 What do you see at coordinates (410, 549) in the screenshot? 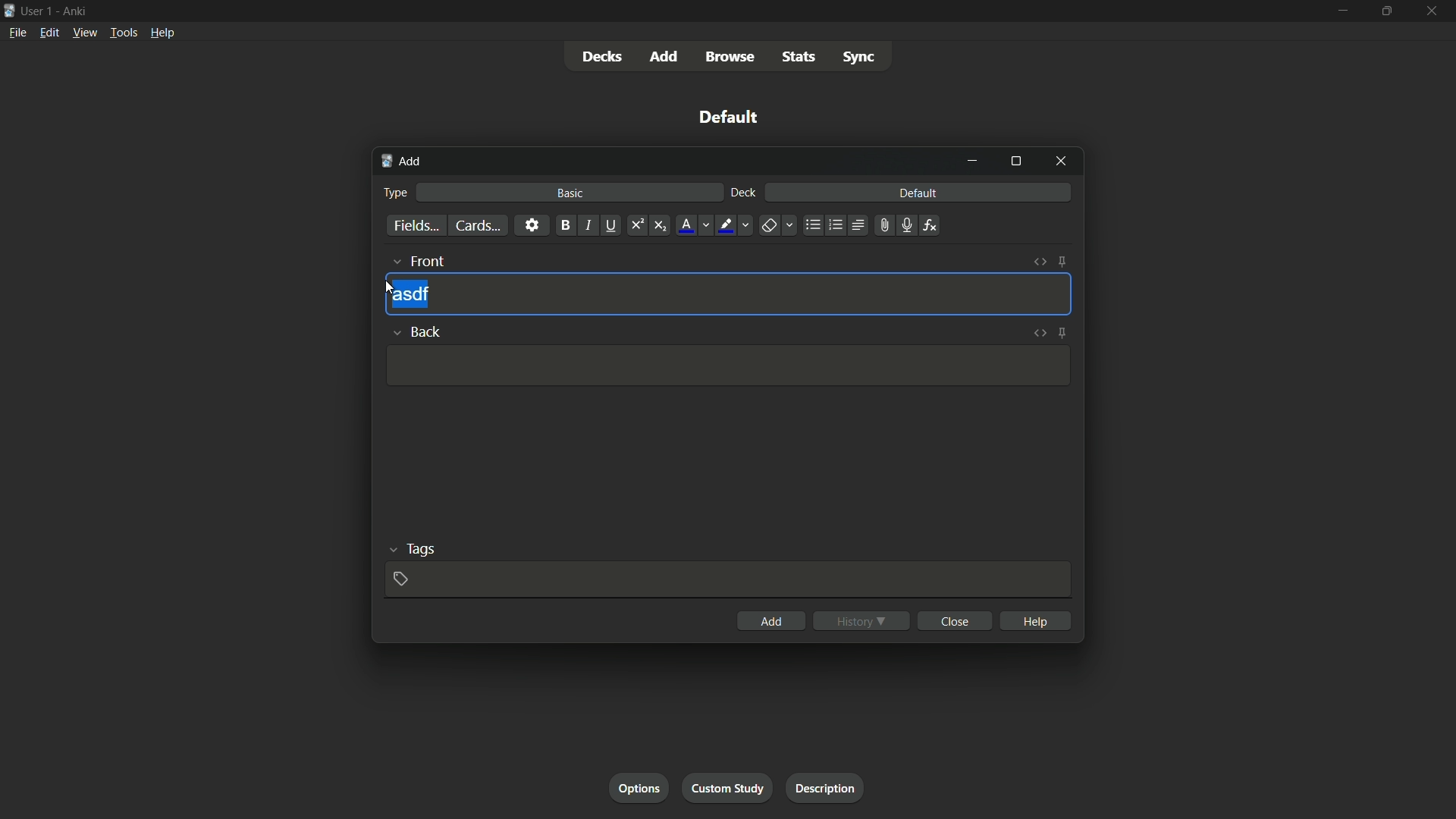
I see `tags` at bounding box center [410, 549].